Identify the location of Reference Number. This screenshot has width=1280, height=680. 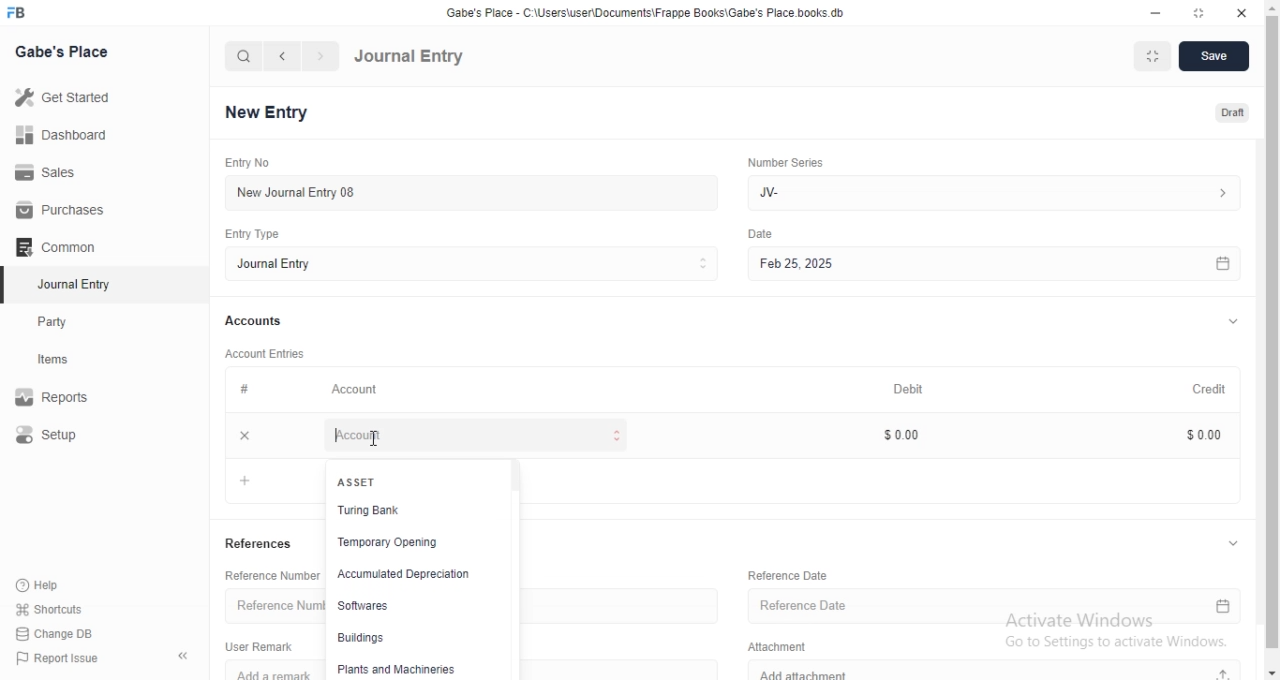
(270, 574).